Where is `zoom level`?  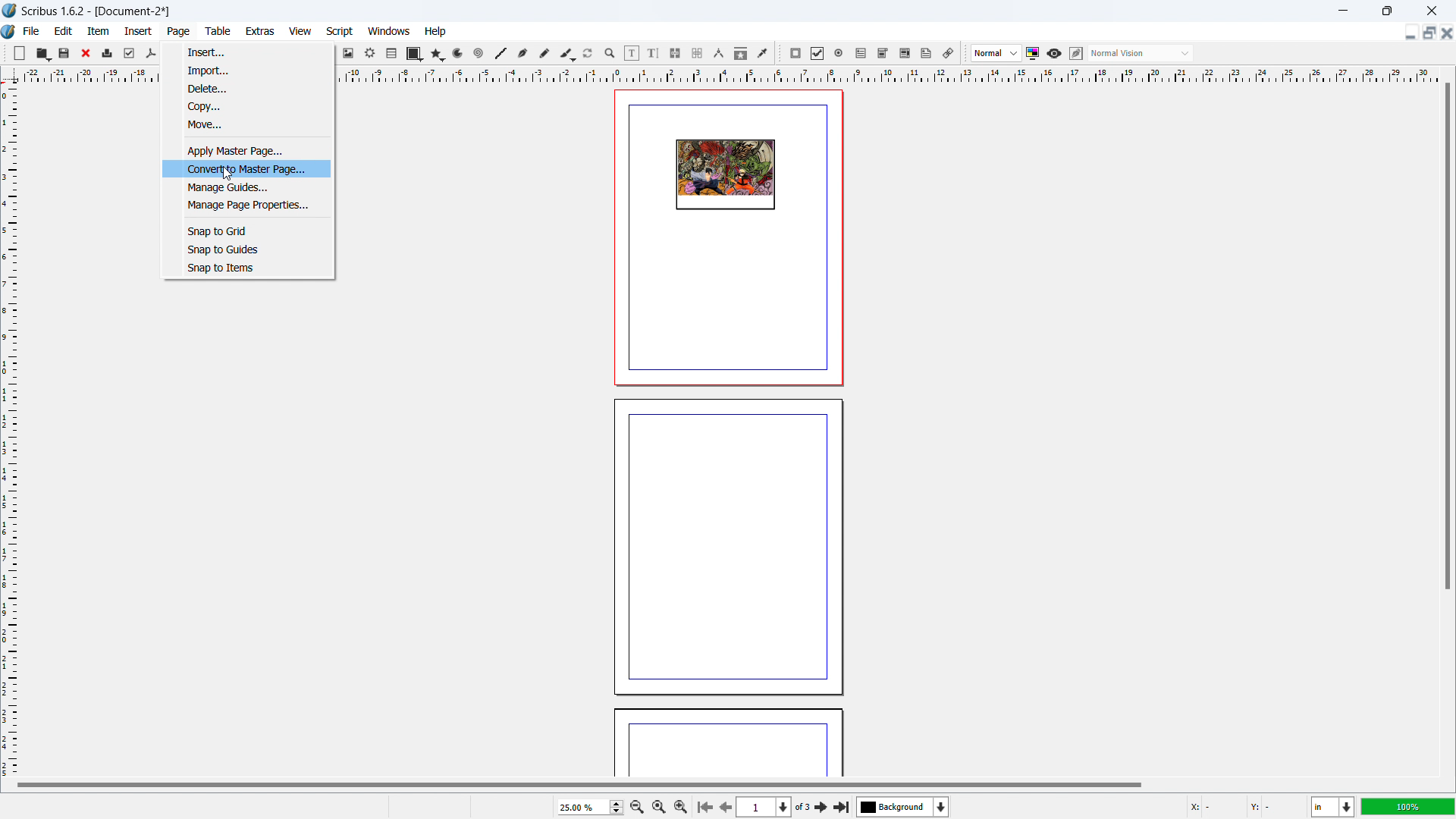 zoom level is located at coordinates (590, 807).